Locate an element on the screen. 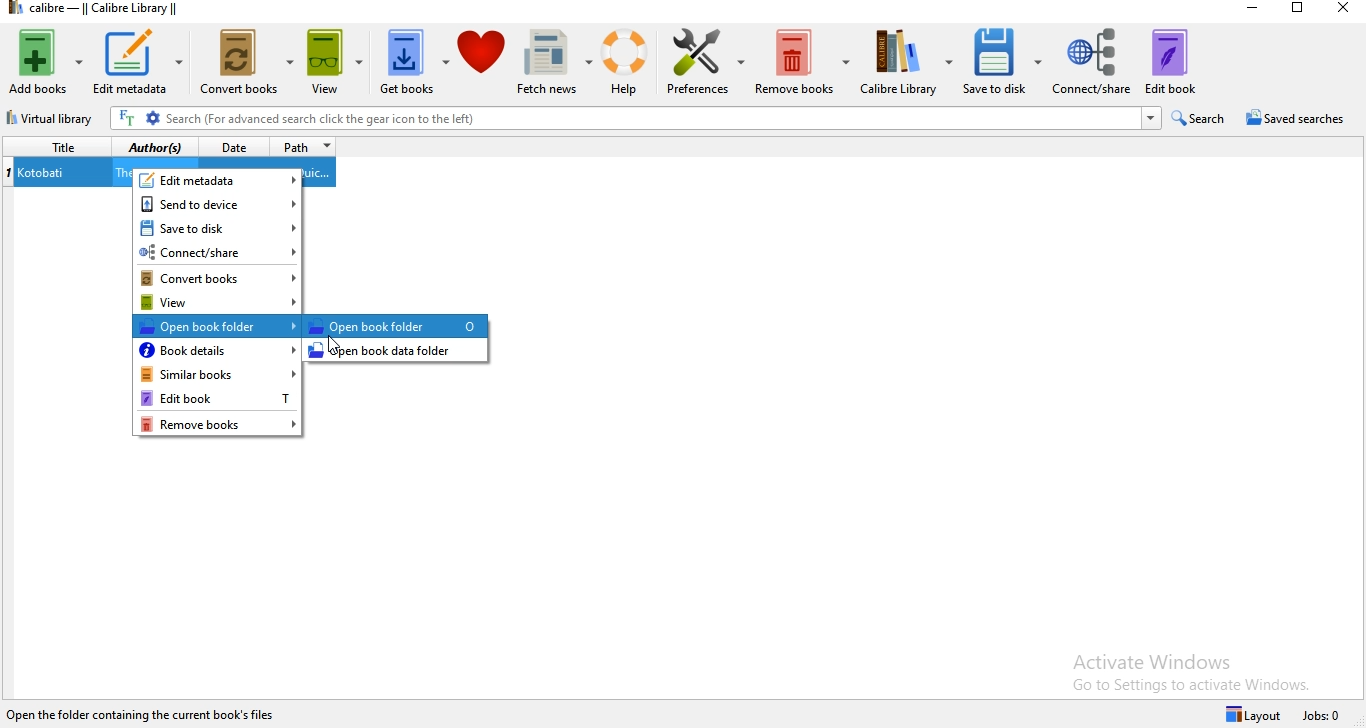 Image resolution: width=1366 pixels, height=728 pixels. book details is located at coordinates (218, 349).